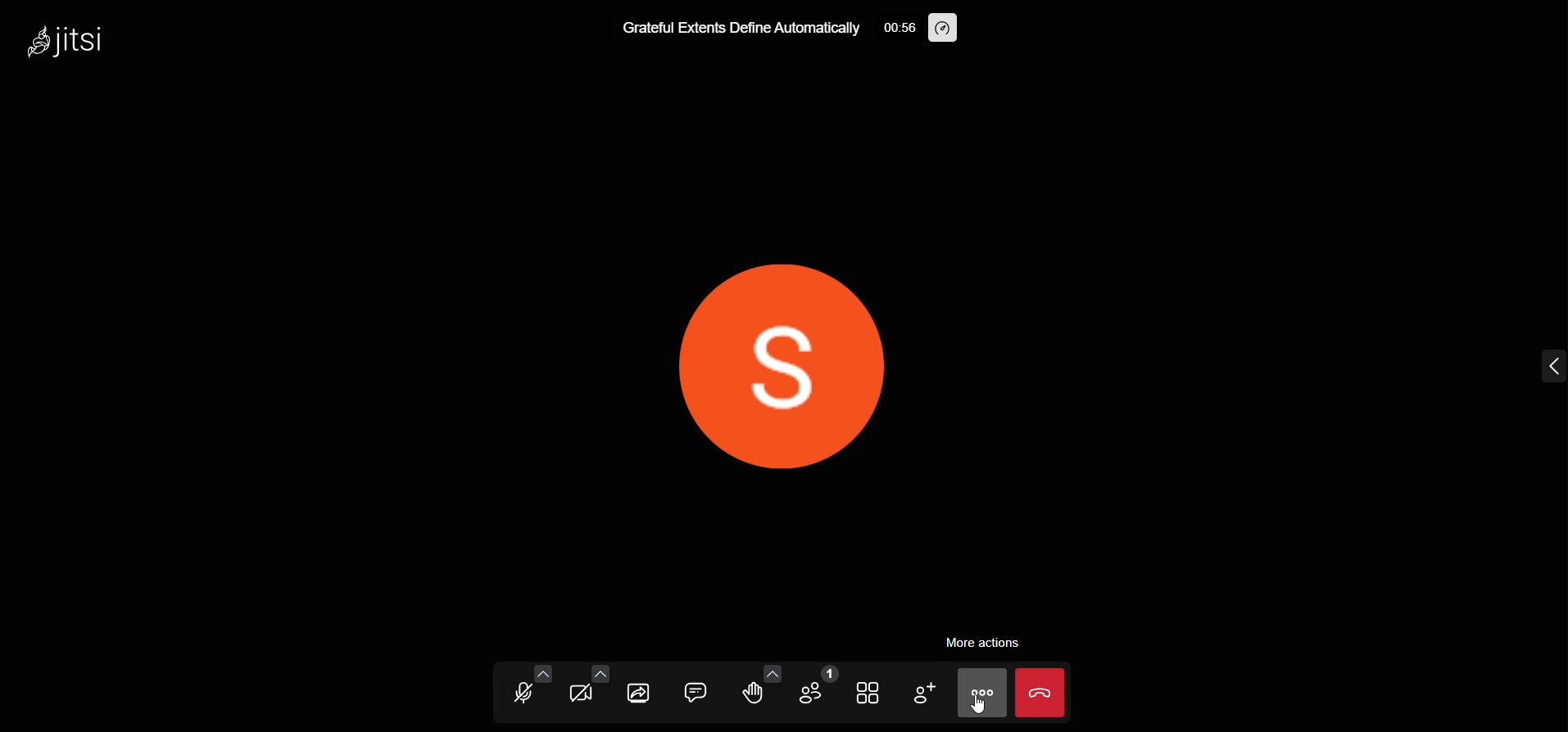 The width and height of the screenshot is (1568, 732). Describe the element at coordinates (732, 28) in the screenshot. I see `Grateful Extents Define Automatically` at that location.